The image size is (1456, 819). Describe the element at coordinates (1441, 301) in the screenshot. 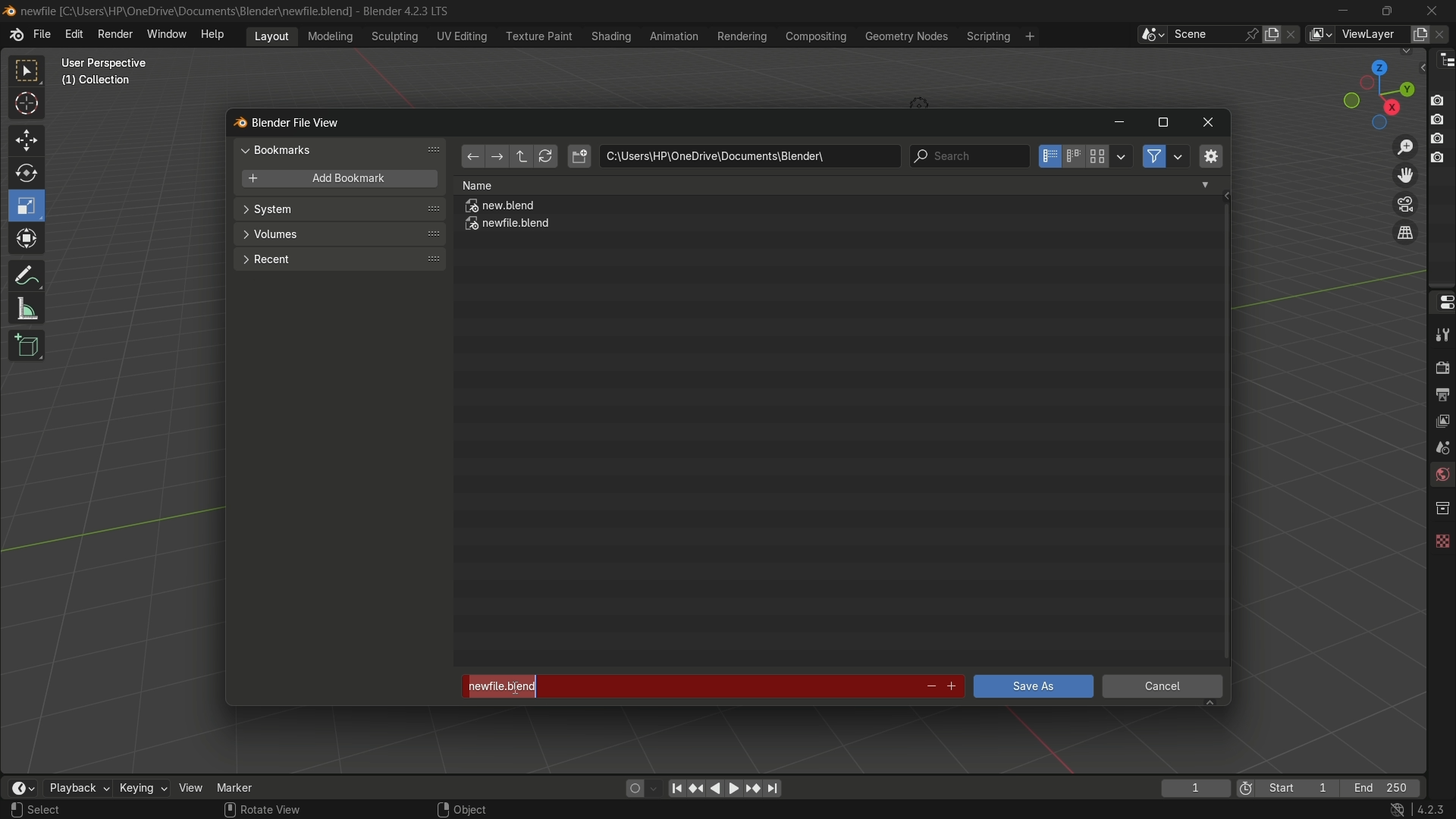

I see `properties` at that location.